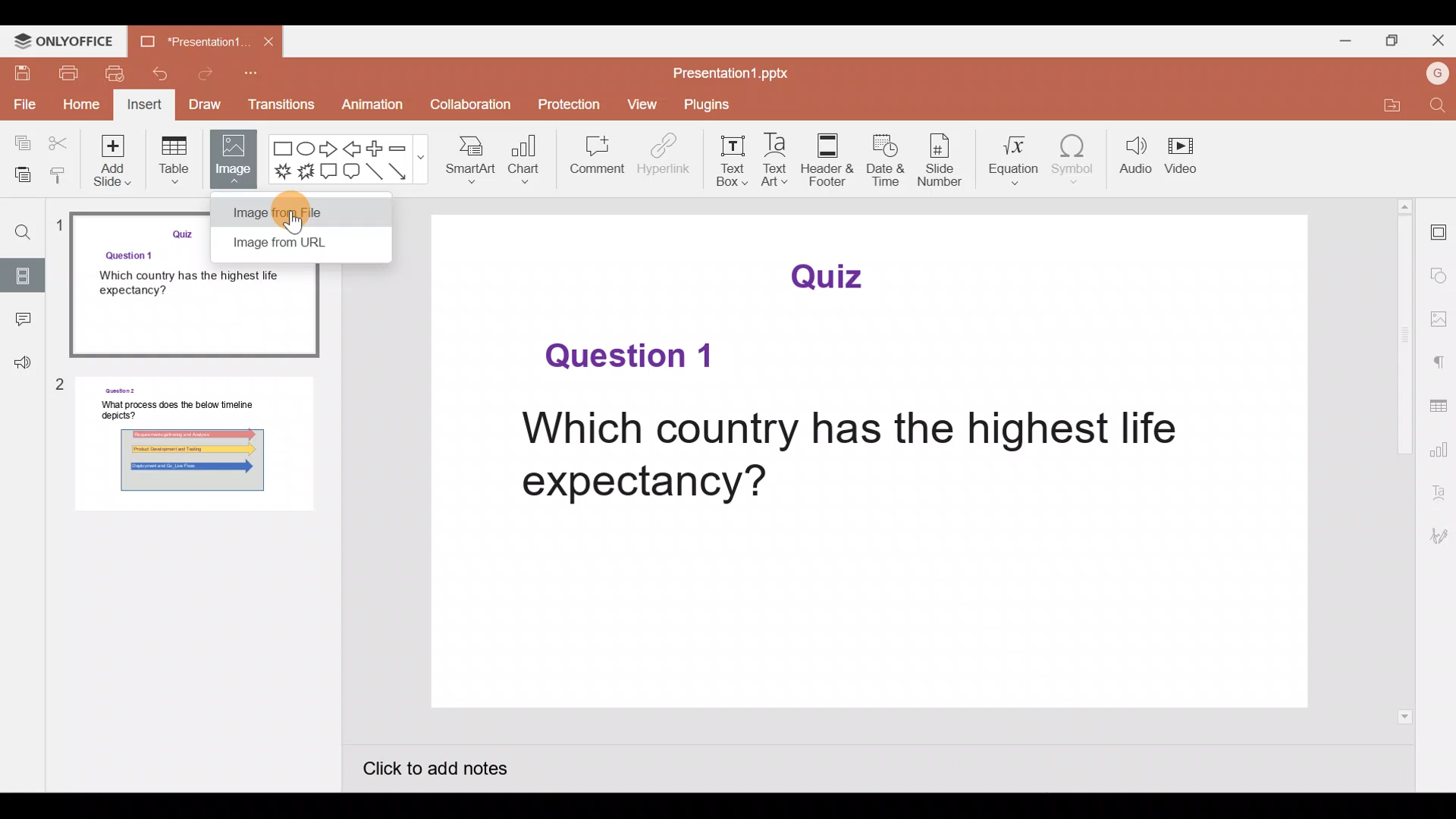  What do you see at coordinates (1439, 494) in the screenshot?
I see `Text Art settings` at bounding box center [1439, 494].